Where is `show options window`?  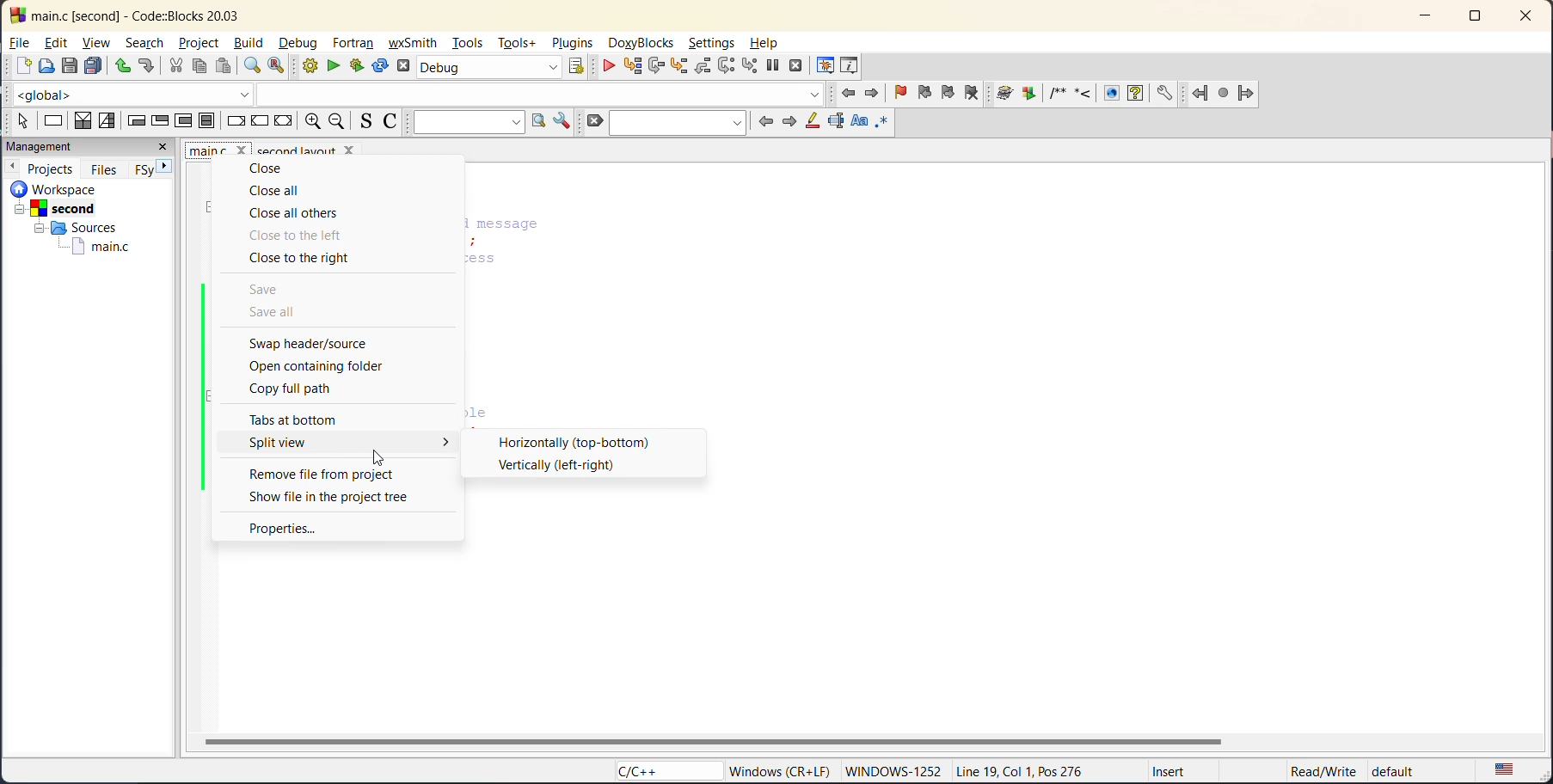
show options window is located at coordinates (563, 119).